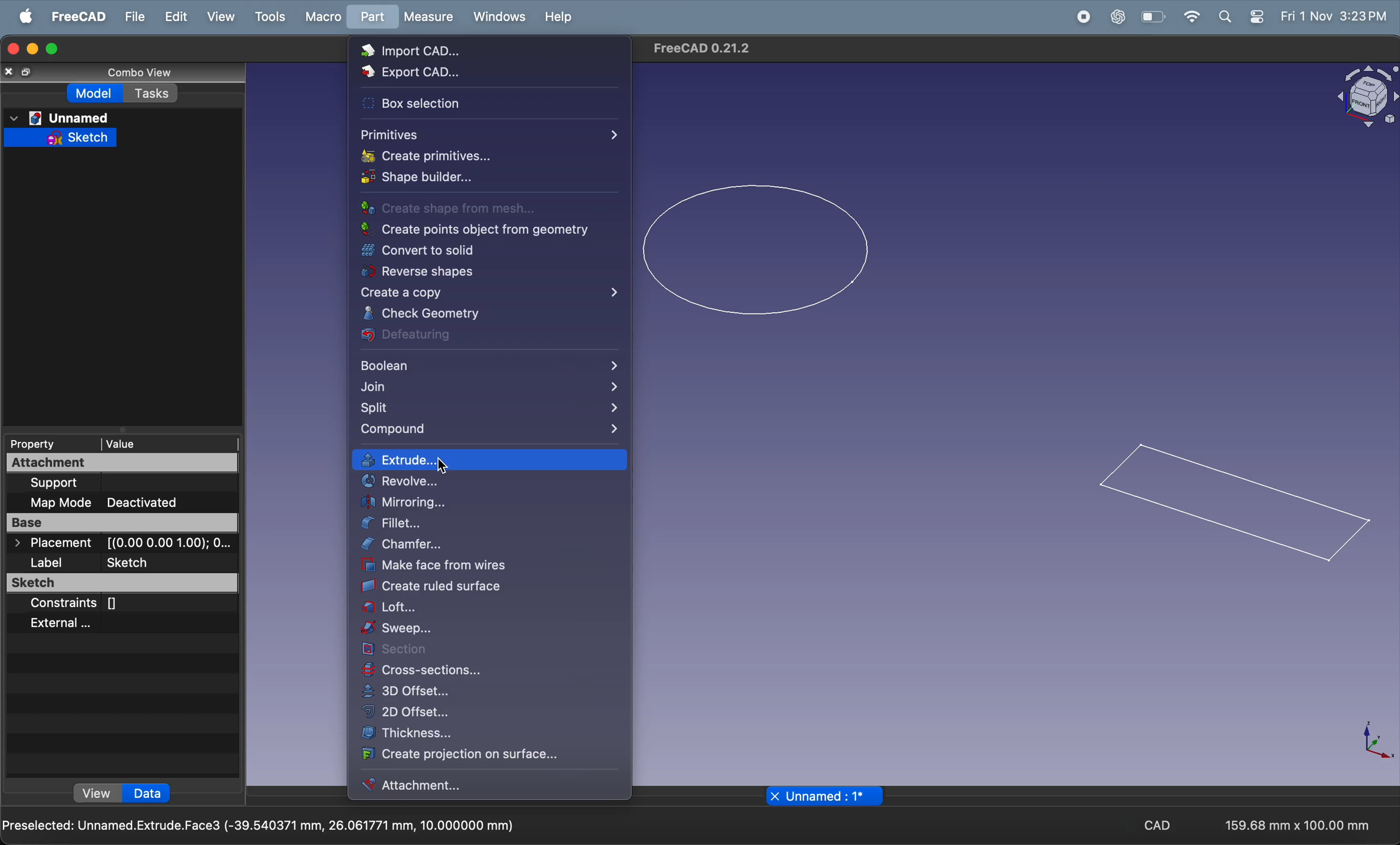 This screenshot has width=1400, height=845. What do you see at coordinates (56, 484) in the screenshot?
I see `Support` at bounding box center [56, 484].